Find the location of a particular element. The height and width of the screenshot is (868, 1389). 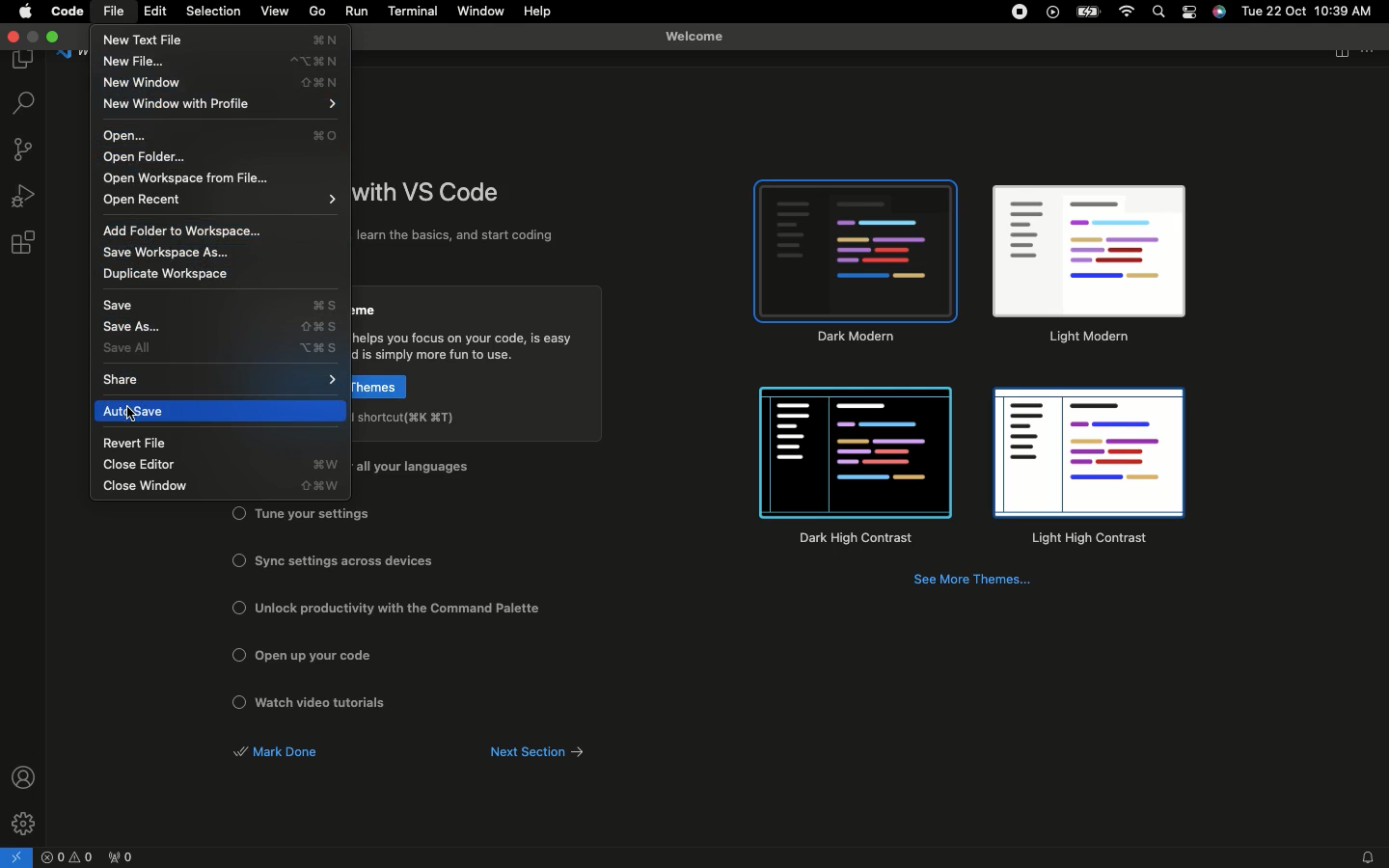

Add folder to workspace is located at coordinates (194, 230).